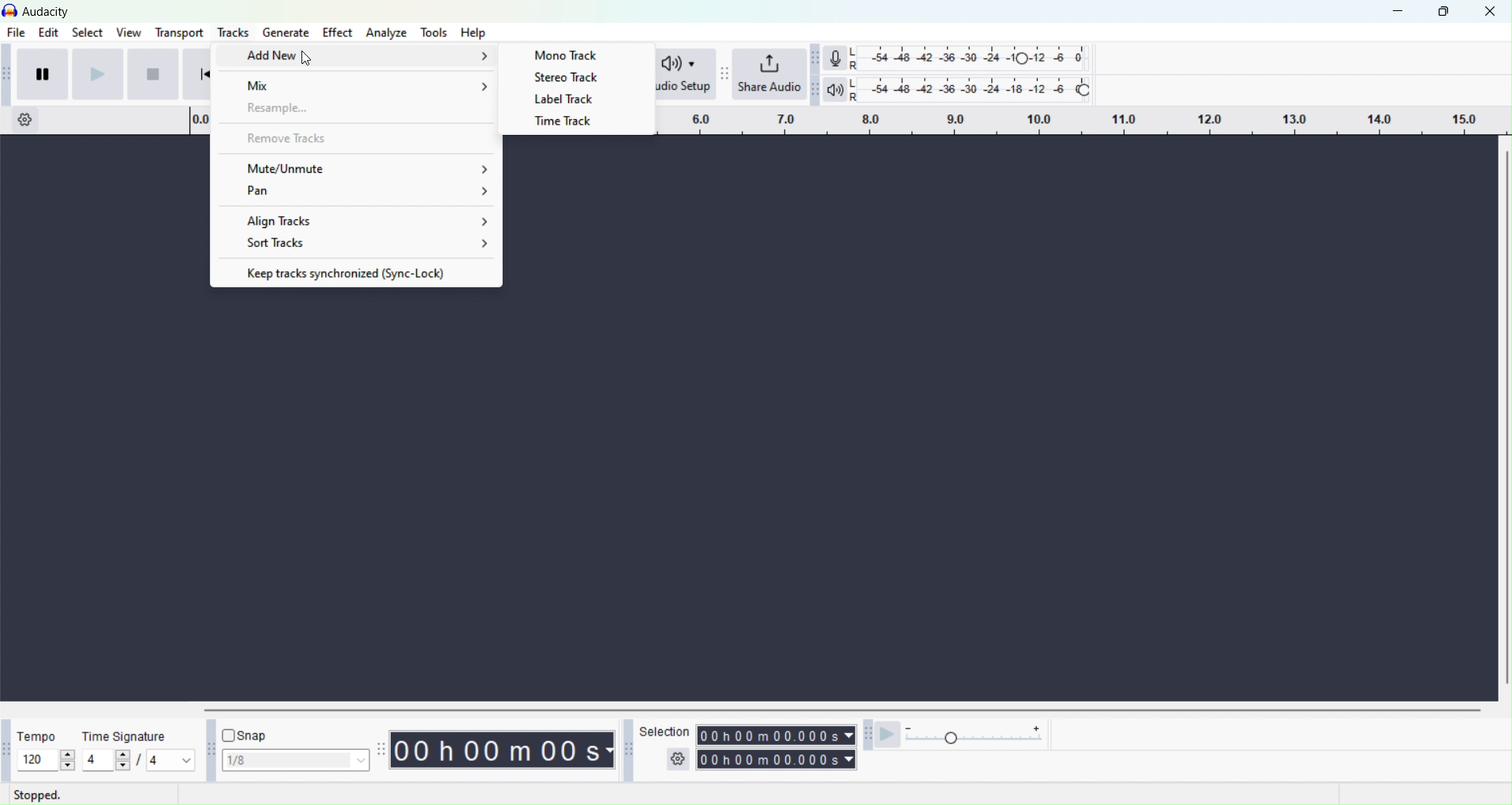 This screenshot has height=805, width=1512. I want to click on Audacity selection toolbar, so click(627, 749).